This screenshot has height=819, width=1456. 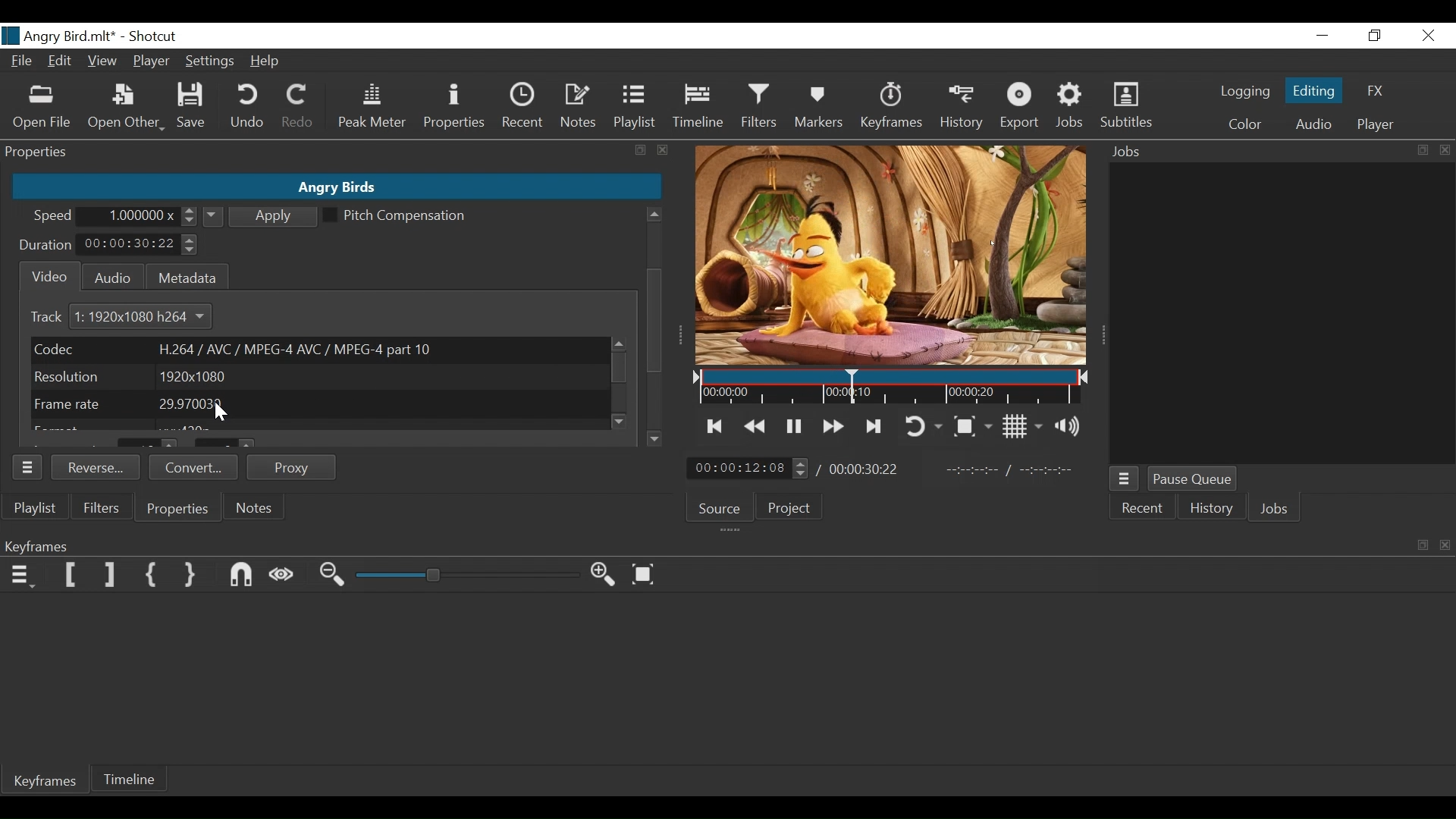 I want to click on Save, so click(x=192, y=106).